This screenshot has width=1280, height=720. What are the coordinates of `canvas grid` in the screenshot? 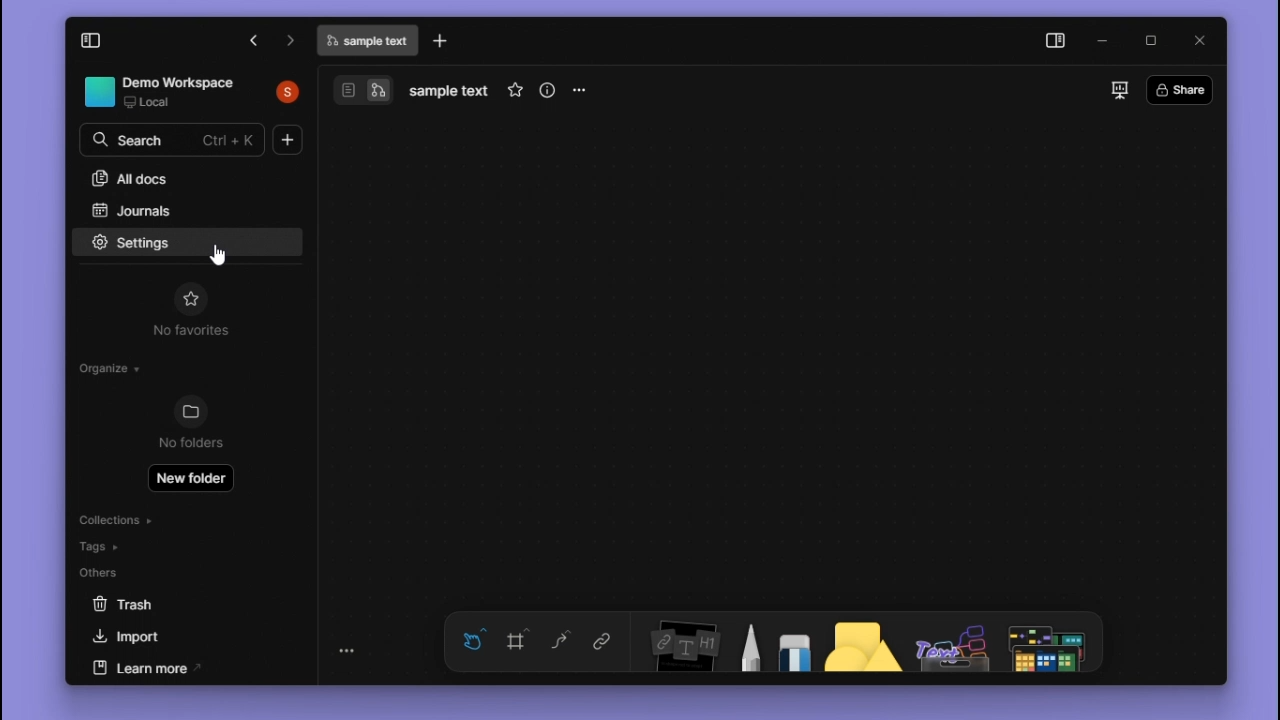 It's located at (776, 355).